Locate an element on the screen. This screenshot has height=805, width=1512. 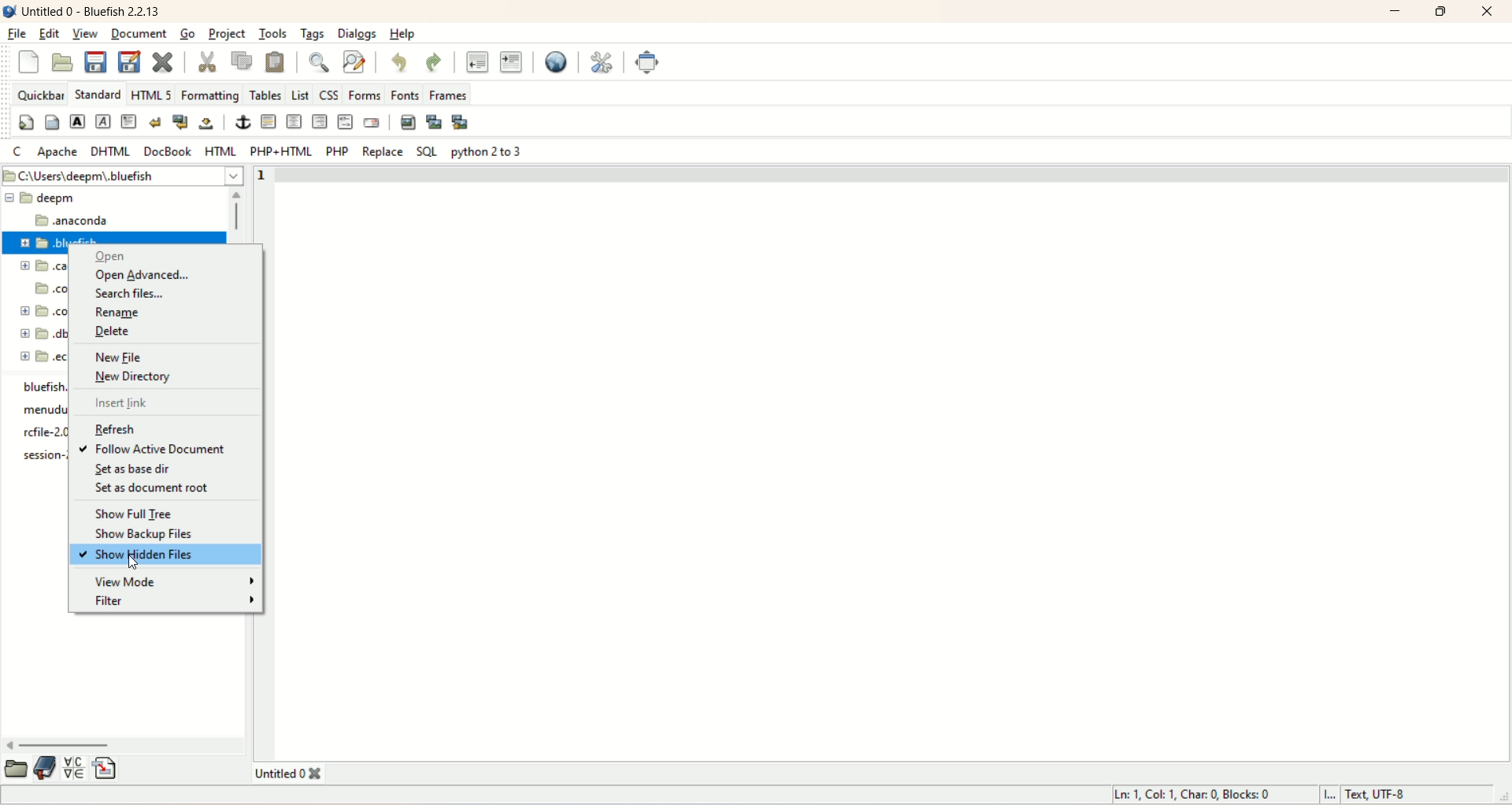
C is located at coordinates (17, 153).